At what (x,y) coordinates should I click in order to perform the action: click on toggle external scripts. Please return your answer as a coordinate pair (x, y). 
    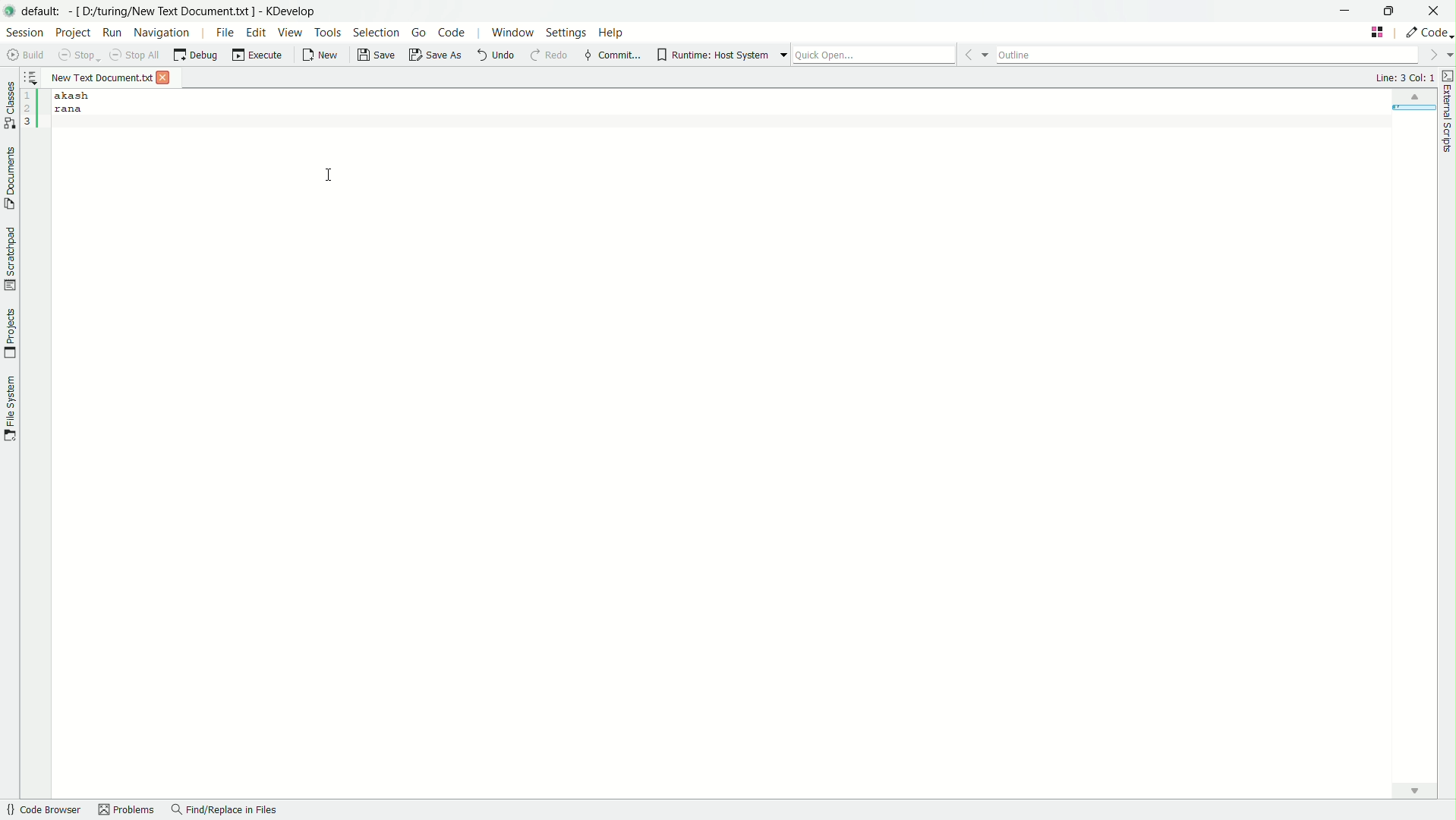
    Looking at the image, I should click on (1447, 75).